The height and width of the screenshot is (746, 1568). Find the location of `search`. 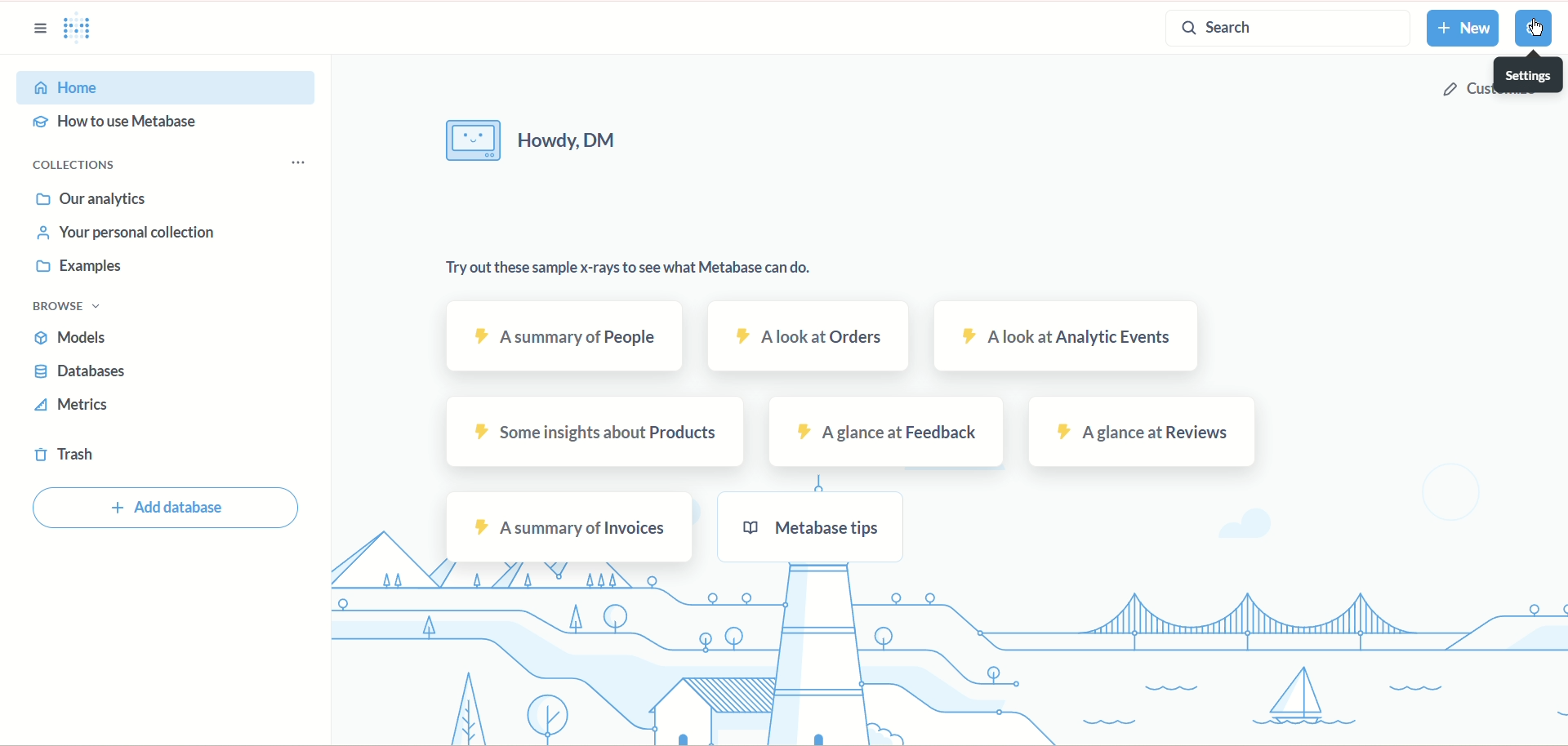

search is located at coordinates (1288, 27).